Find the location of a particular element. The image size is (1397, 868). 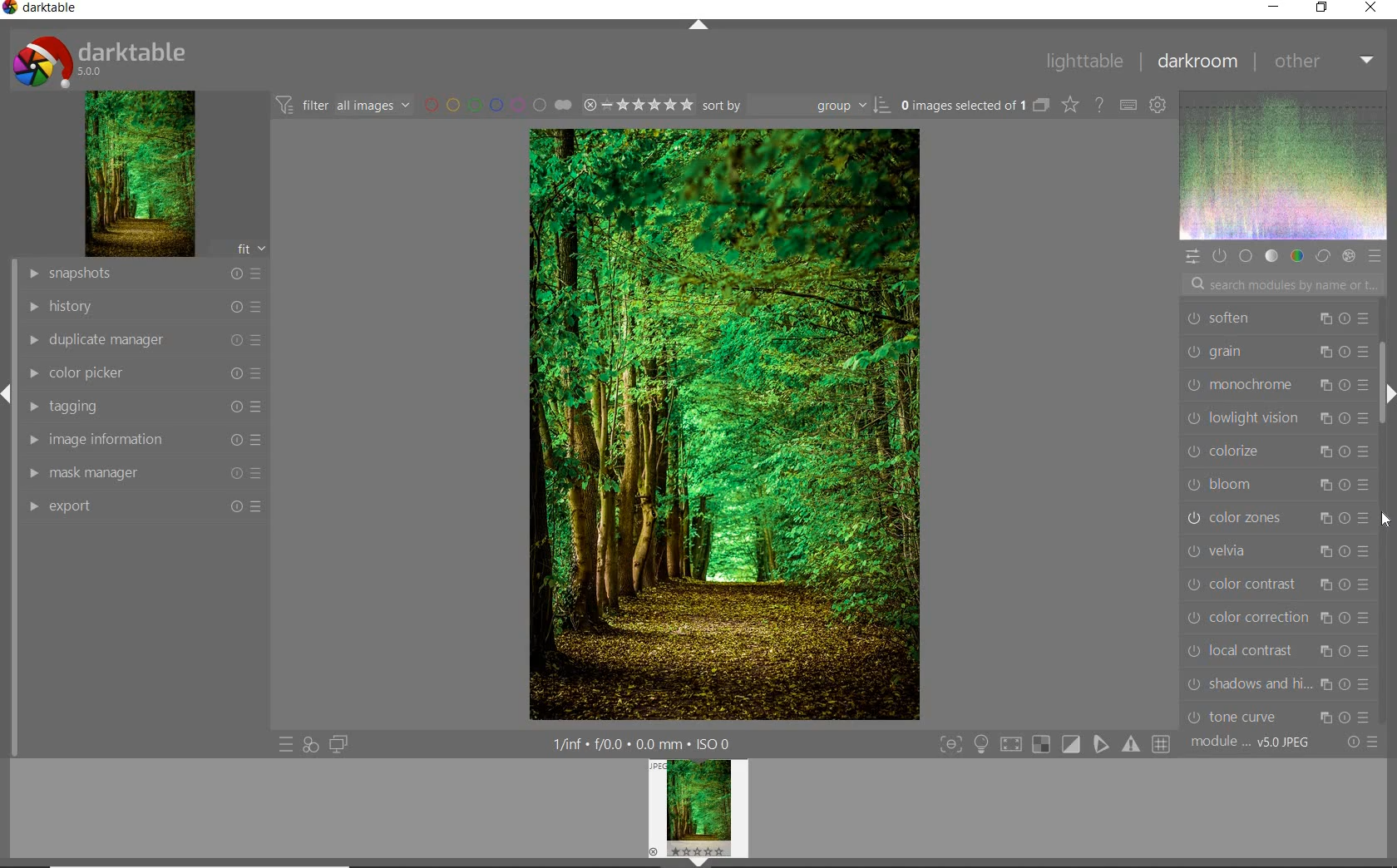

OTHER INTERFACE DETAILS is located at coordinates (641, 743).